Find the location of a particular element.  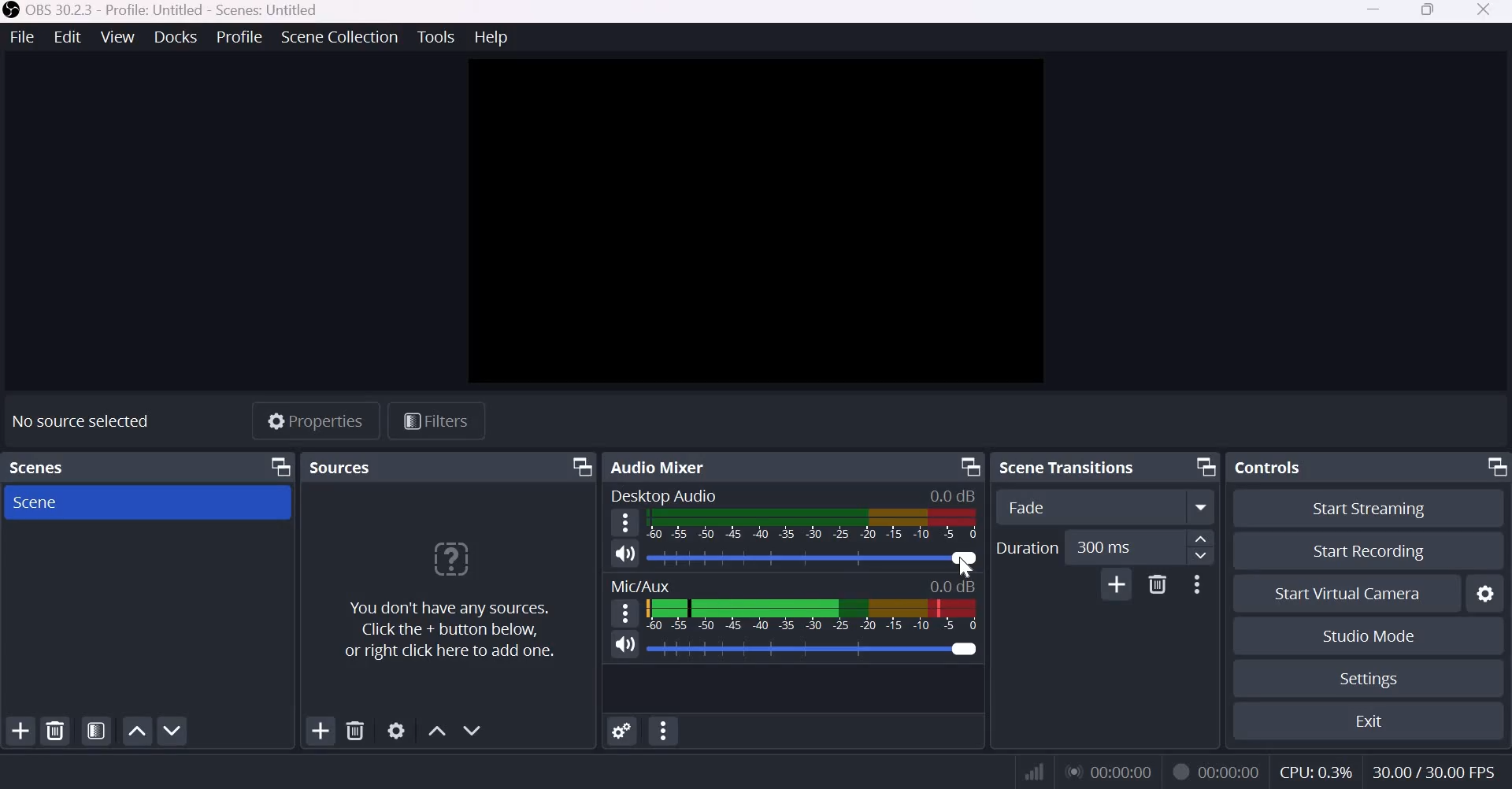

Volume Meter is located at coordinates (811, 524).